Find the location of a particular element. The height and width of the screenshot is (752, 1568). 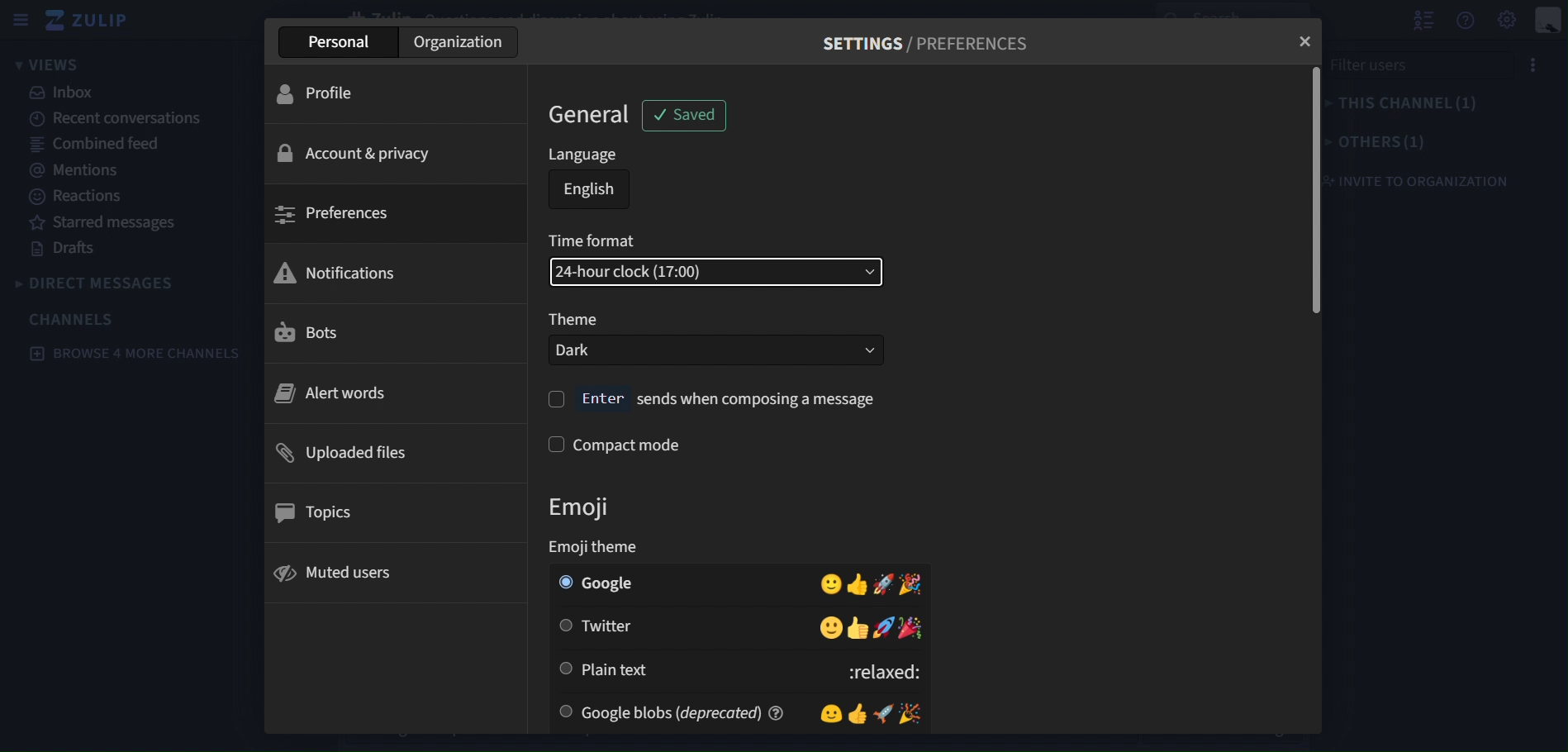

Emojis is located at coordinates (879, 713).